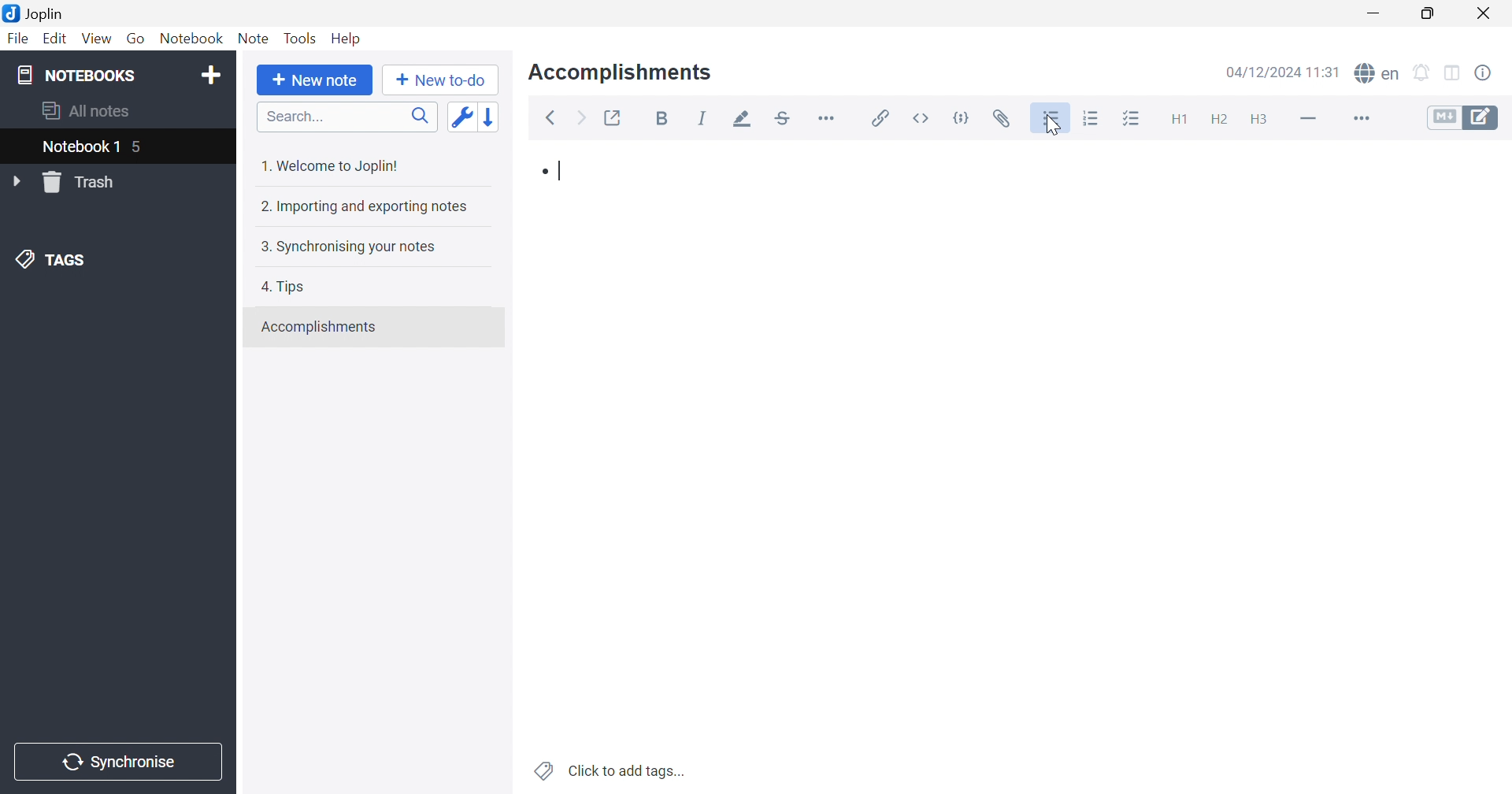 The width and height of the screenshot is (1512, 794). What do you see at coordinates (490, 117) in the screenshot?
I see `Reverse sort order` at bounding box center [490, 117].